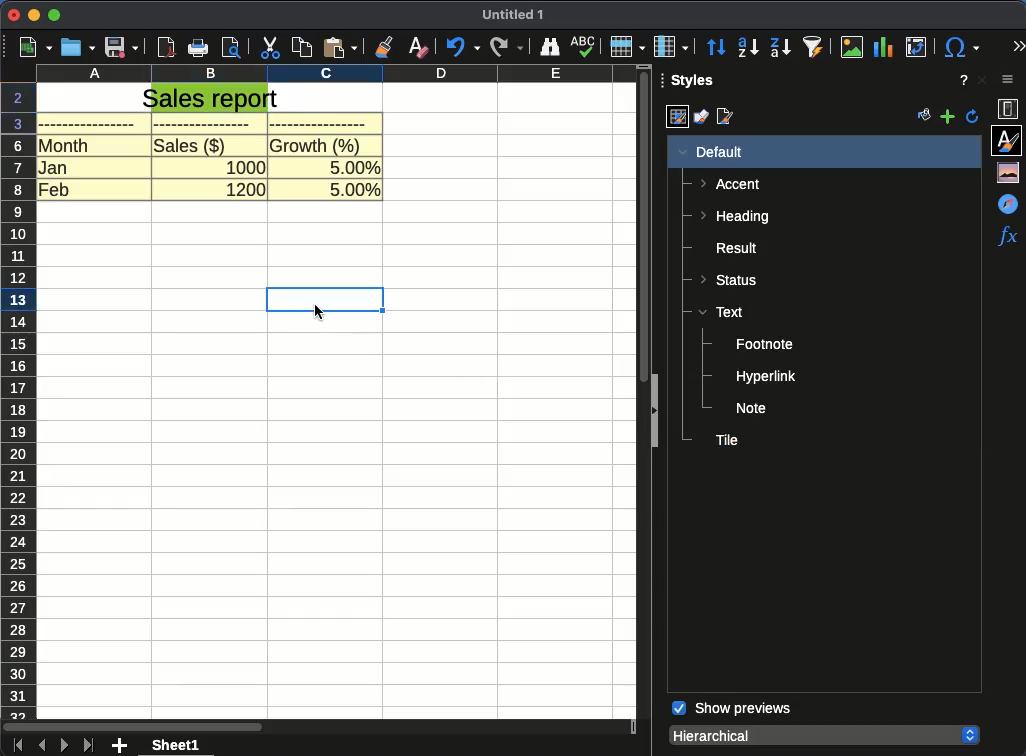 The height and width of the screenshot is (756, 1026). What do you see at coordinates (671, 47) in the screenshot?
I see `column` at bounding box center [671, 47].